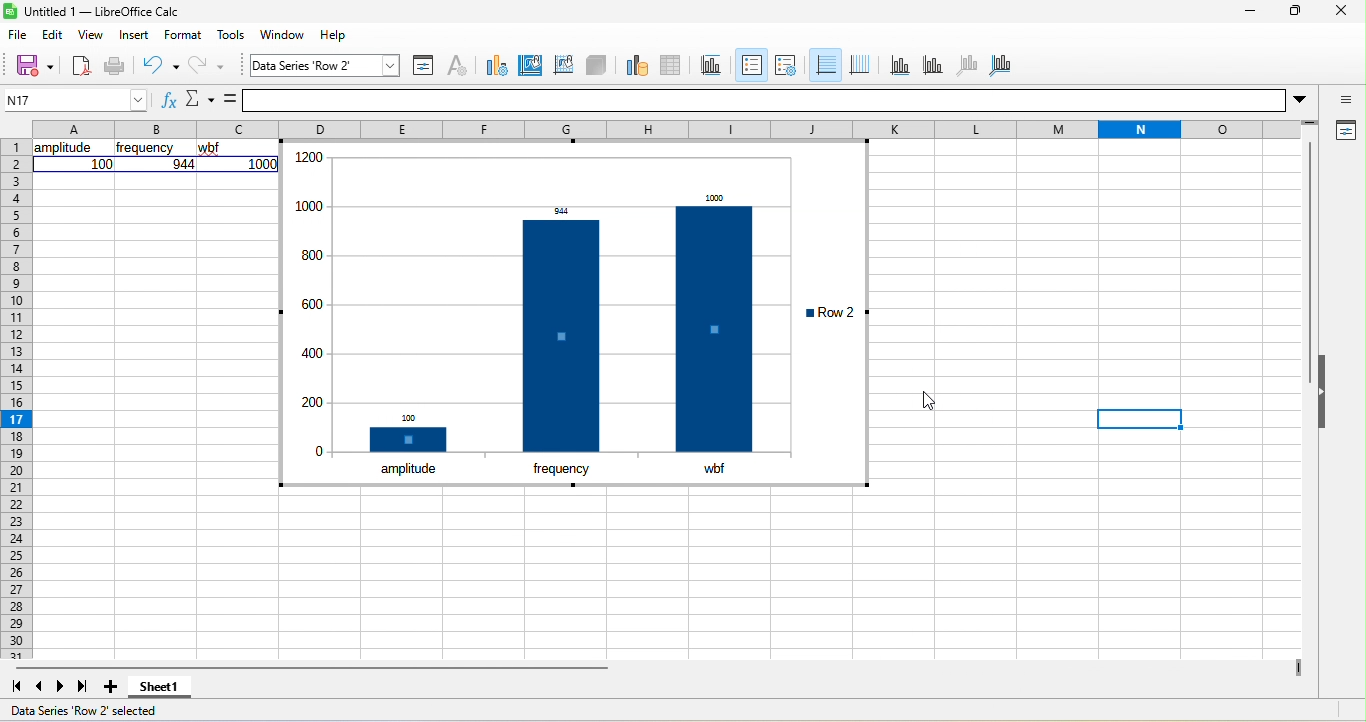 This screenshot has height=722, width=1366. What do you see at coordinates (160, 691) in the screenshot?
I see `sheet 1` at bounding box center [160, 691].